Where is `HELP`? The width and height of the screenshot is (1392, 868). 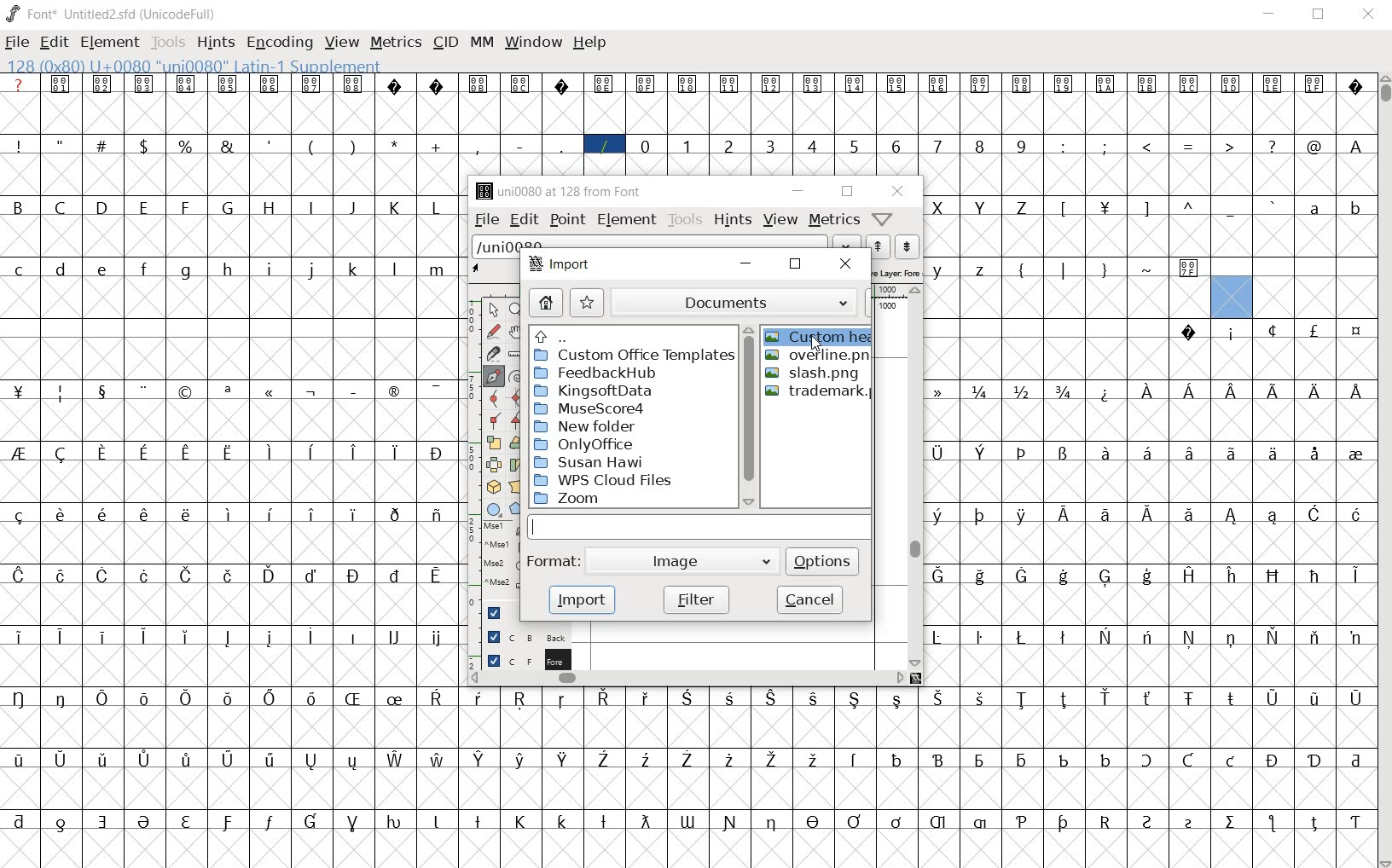
HELP is located at coordinates (591, 44).